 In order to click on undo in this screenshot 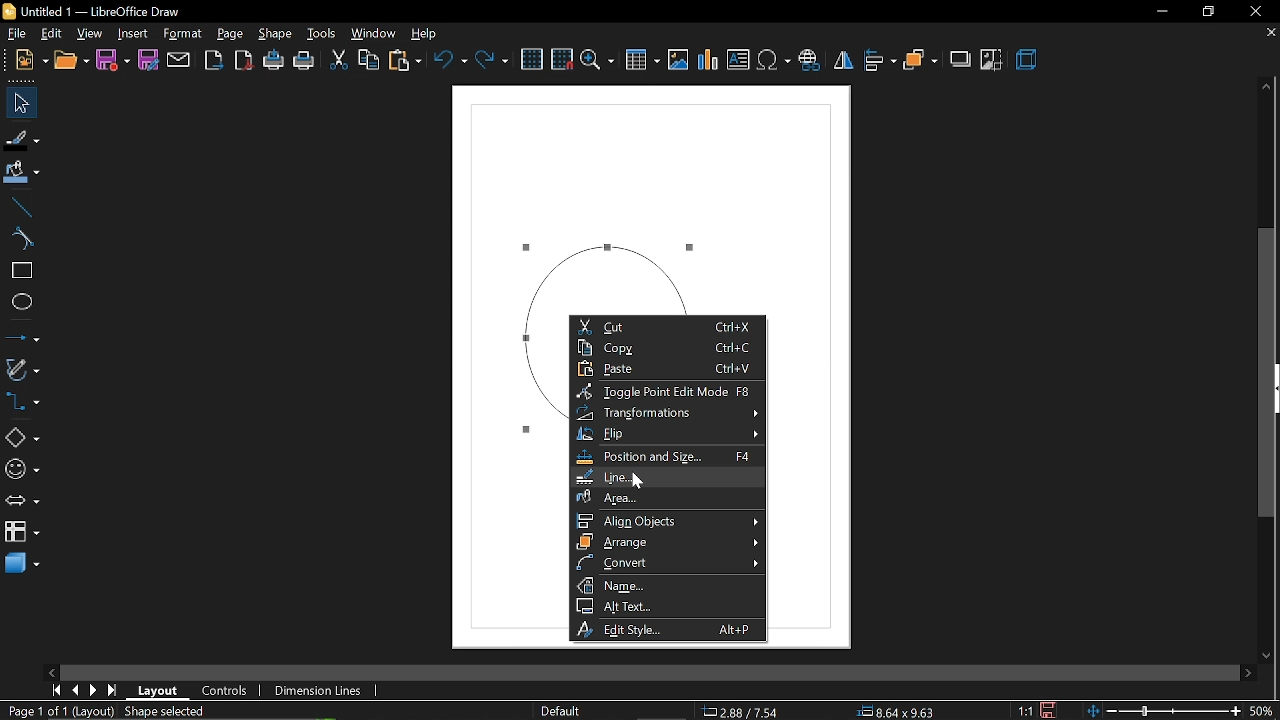, I will do `click(450, 61)`.